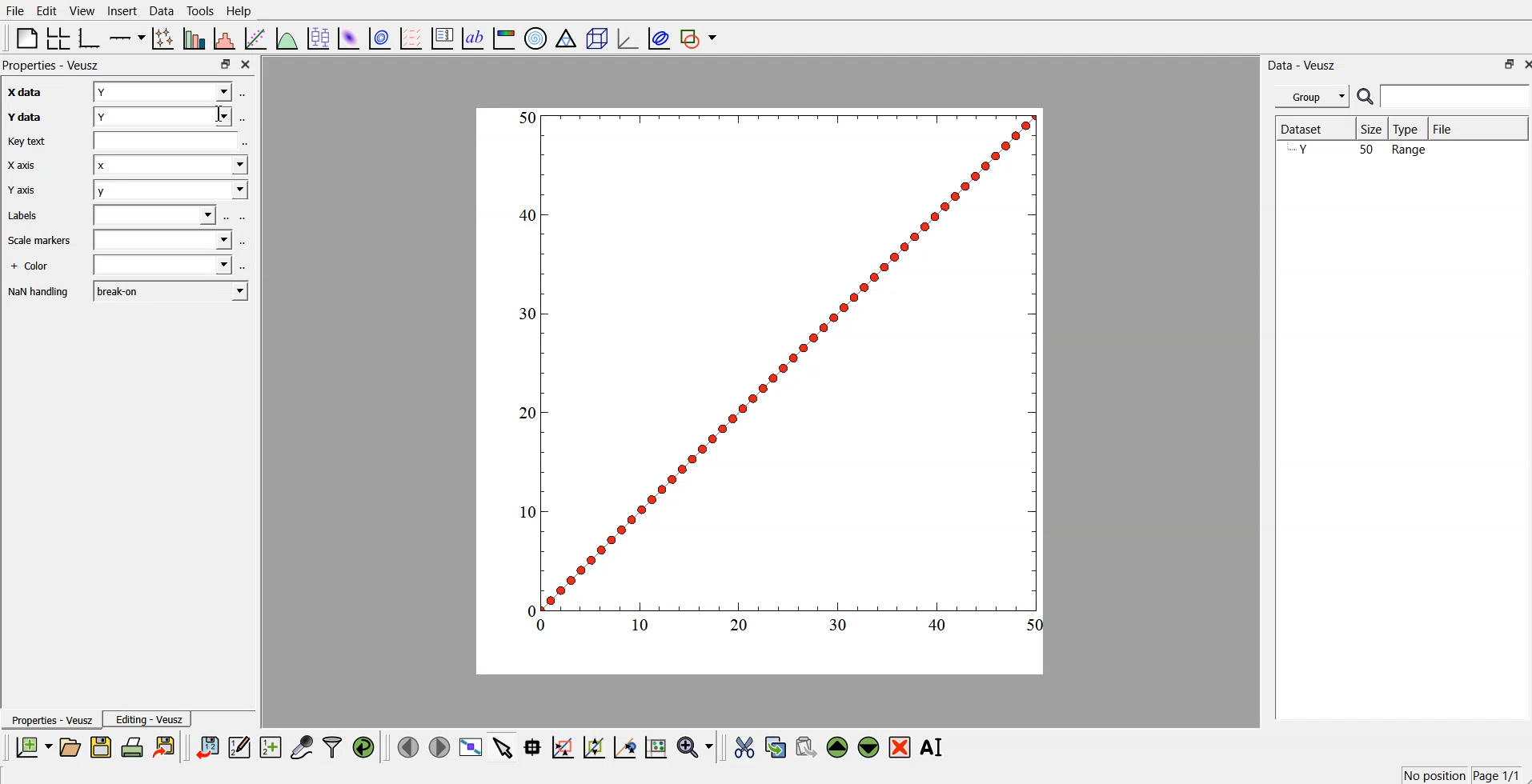  What do you see at coordinates (658, 37) in the screenshot?
I see `plot covariance ellipses` at bounding box center [658, 37].